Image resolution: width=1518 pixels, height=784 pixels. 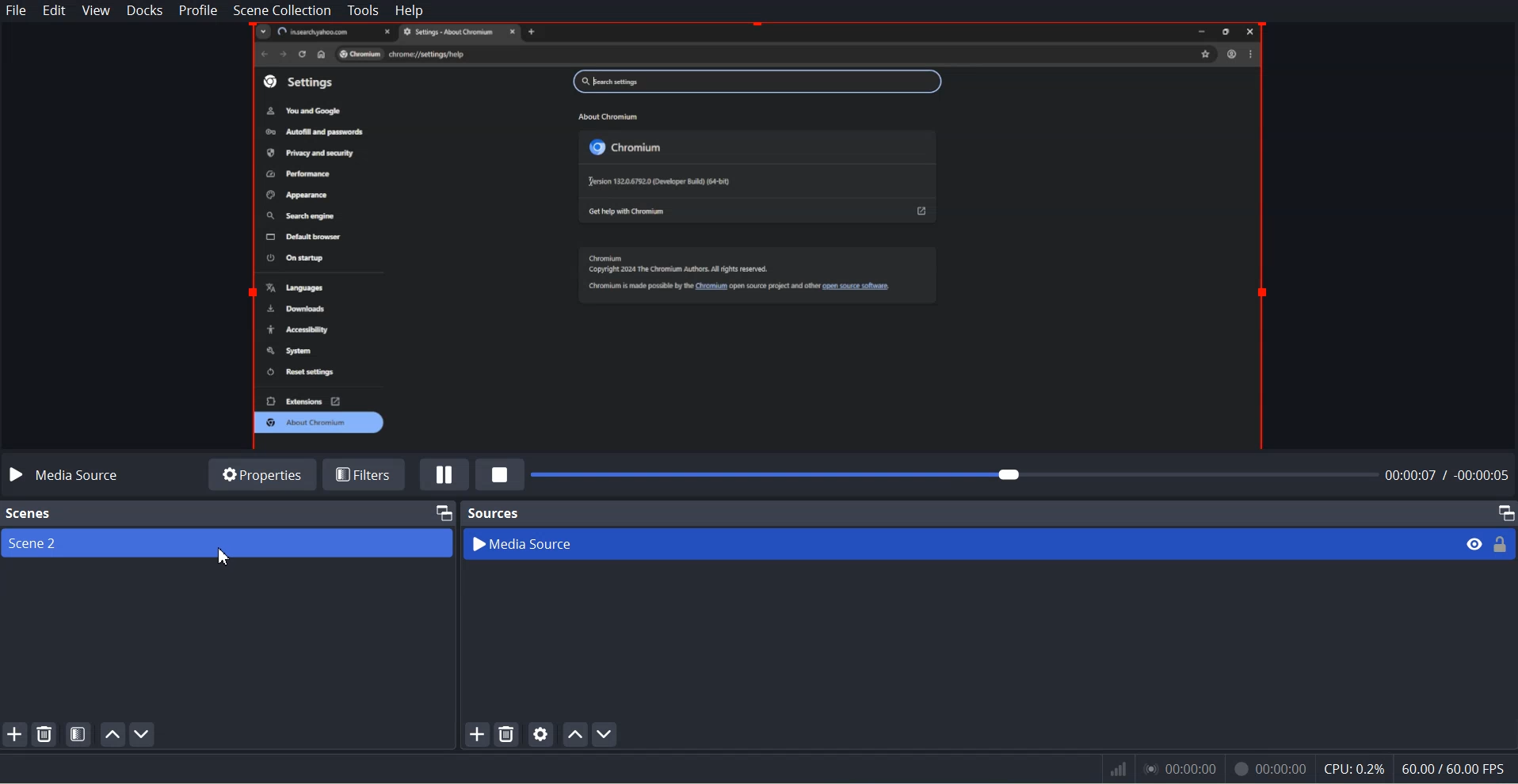 What do you see at coordinates (229, 560) in the screenshot?
I see `Cursor` at bounding box center [229, 560].